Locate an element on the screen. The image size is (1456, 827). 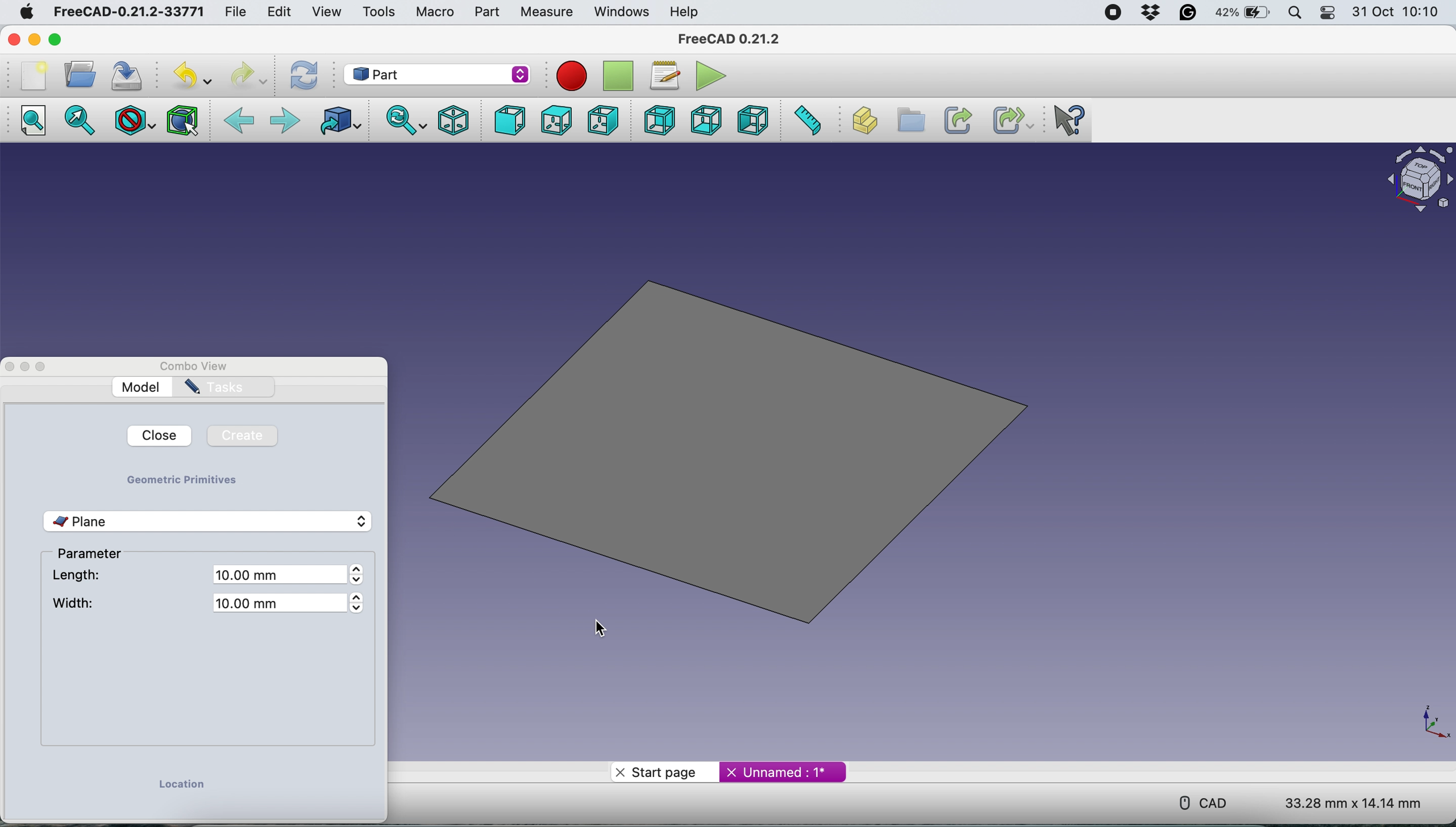
Top is located at coordinates (555, 120).